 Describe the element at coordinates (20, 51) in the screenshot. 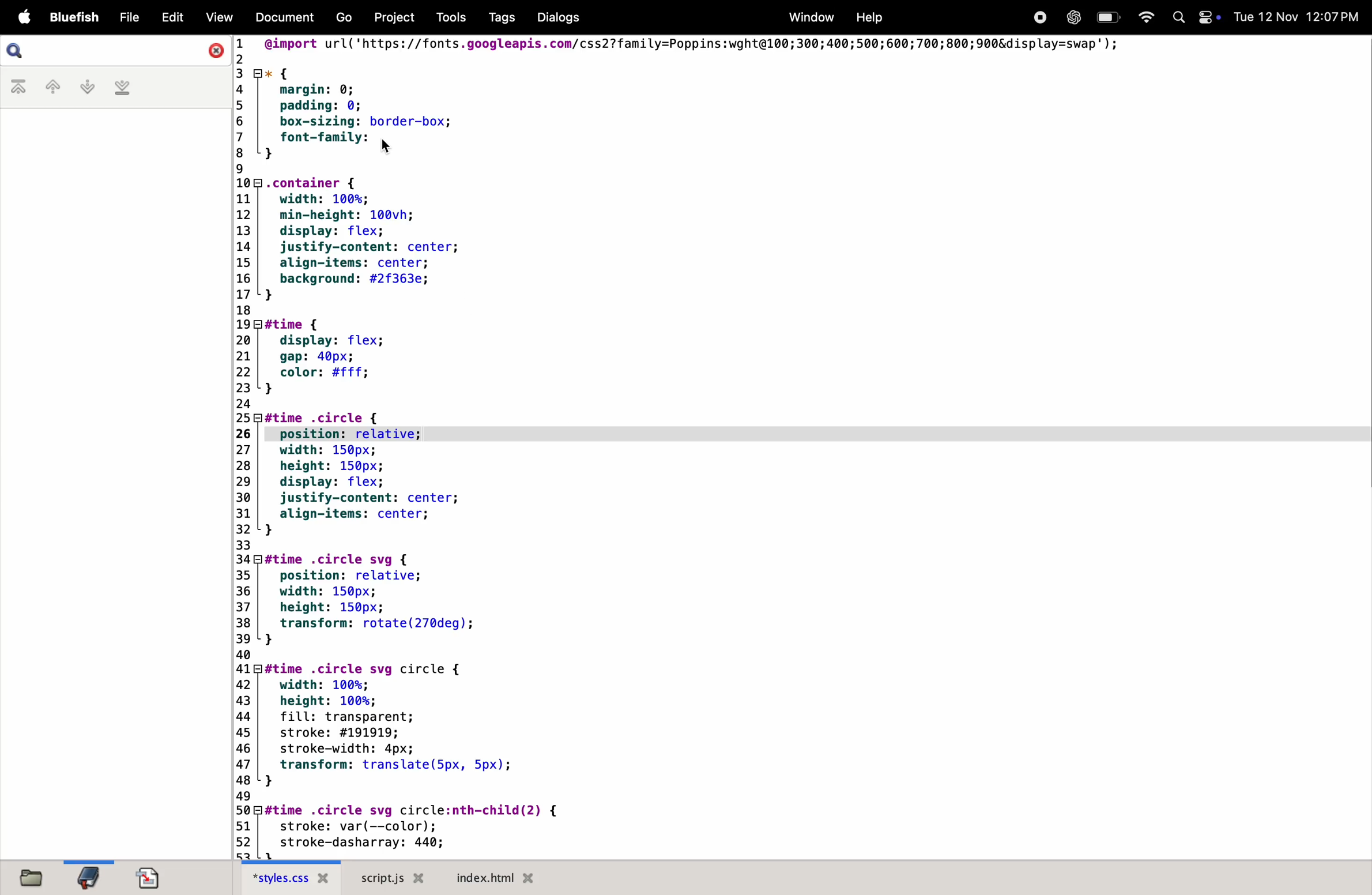

I see `search` at that location.